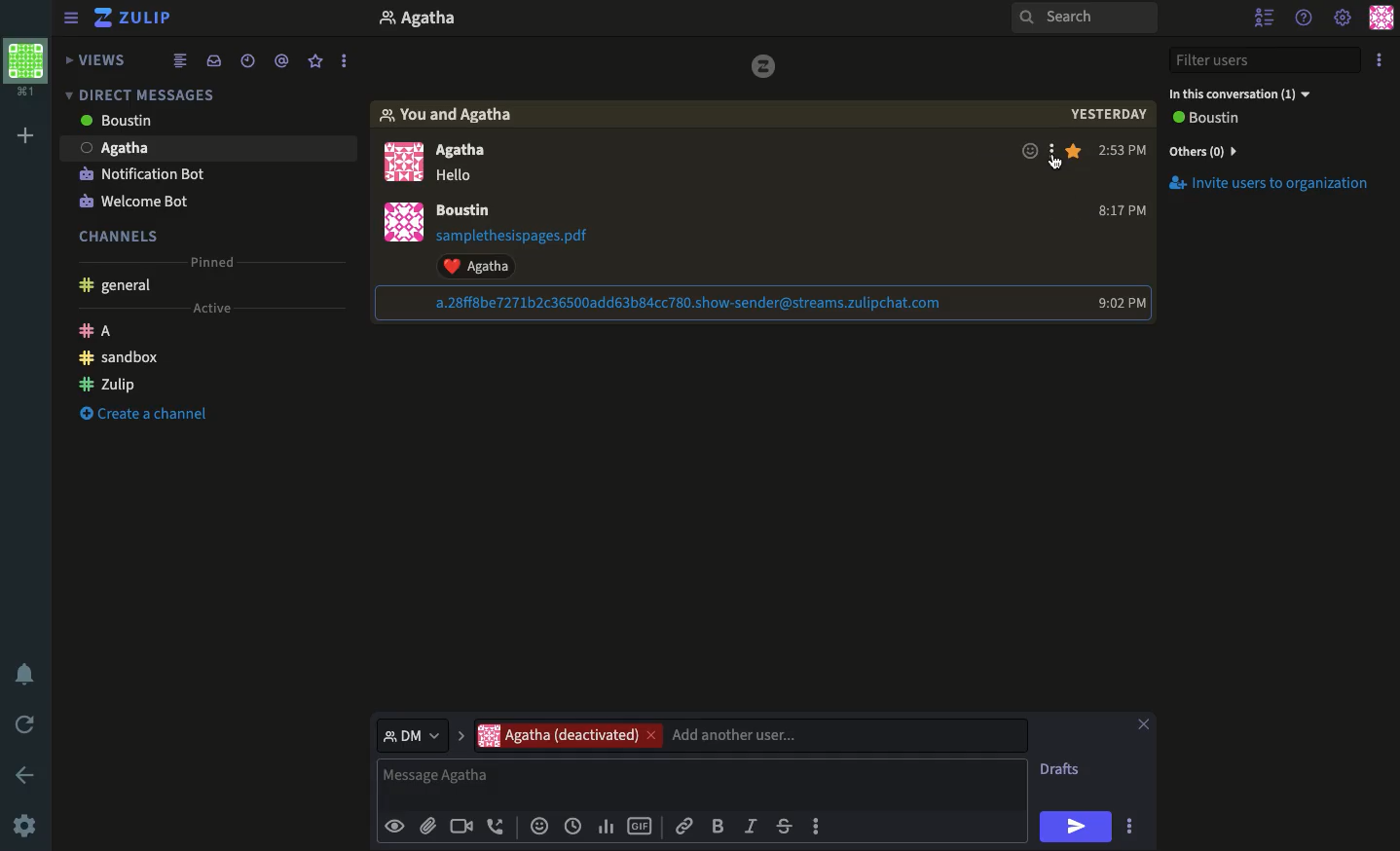 The width and height of the screenshot is (1400, 851). What do you see at coordinates (1383, 17) in the screenshot?
I see `Profile` at bounding box center [1383, 17].